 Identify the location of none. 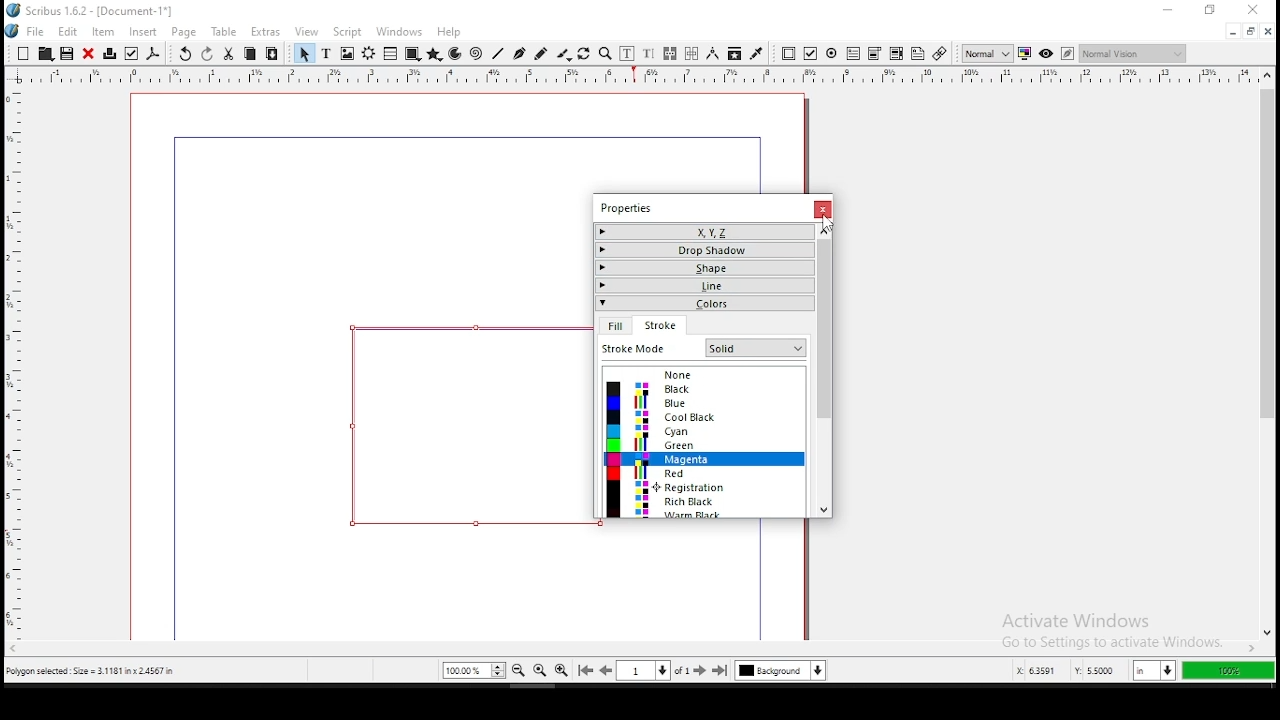
(705, 373).